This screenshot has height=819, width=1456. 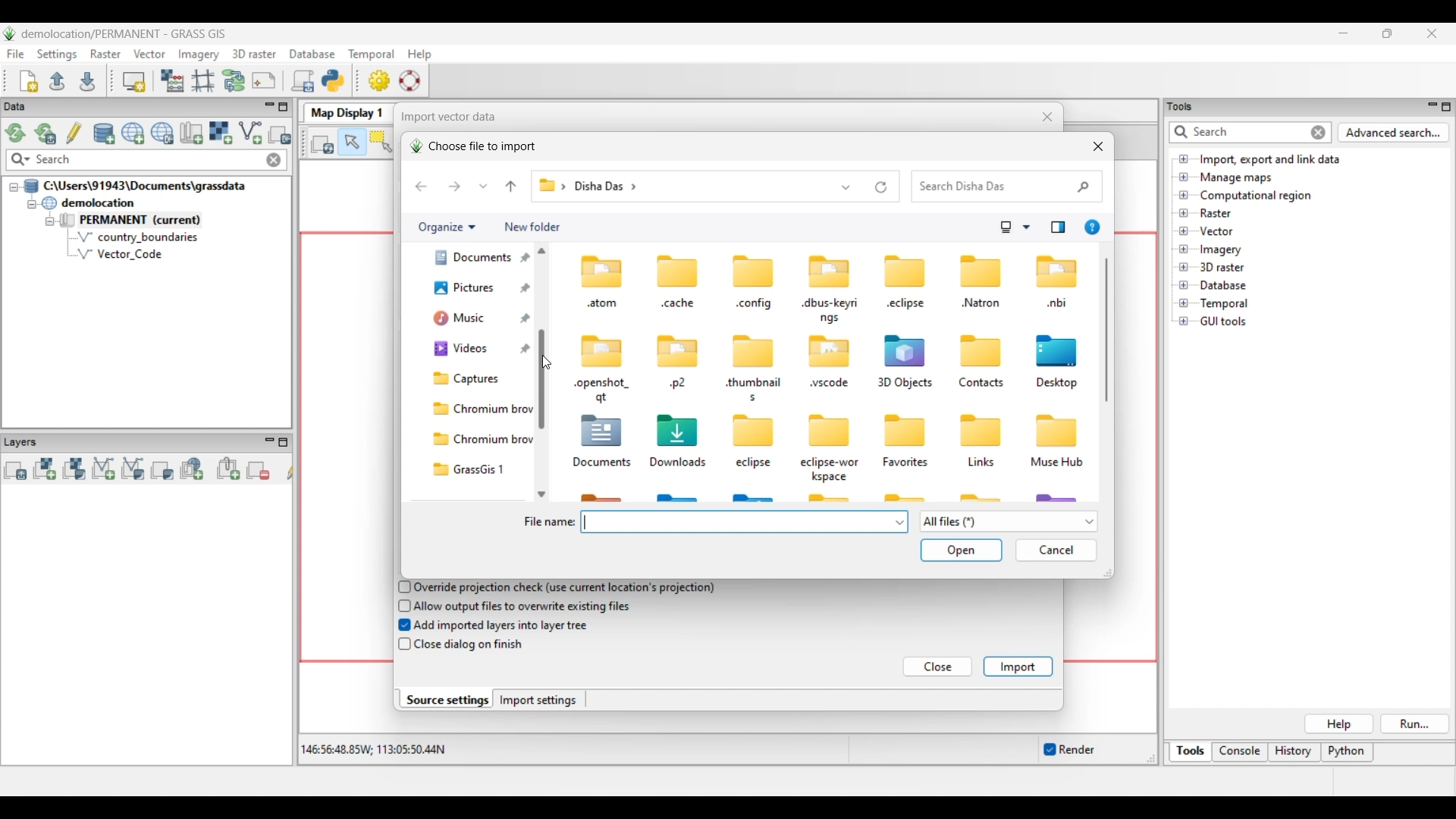 What do you see at coordinates (541, 250) in the screenshot?
I see `Quick slide to top` at bounding box center [541, 250].